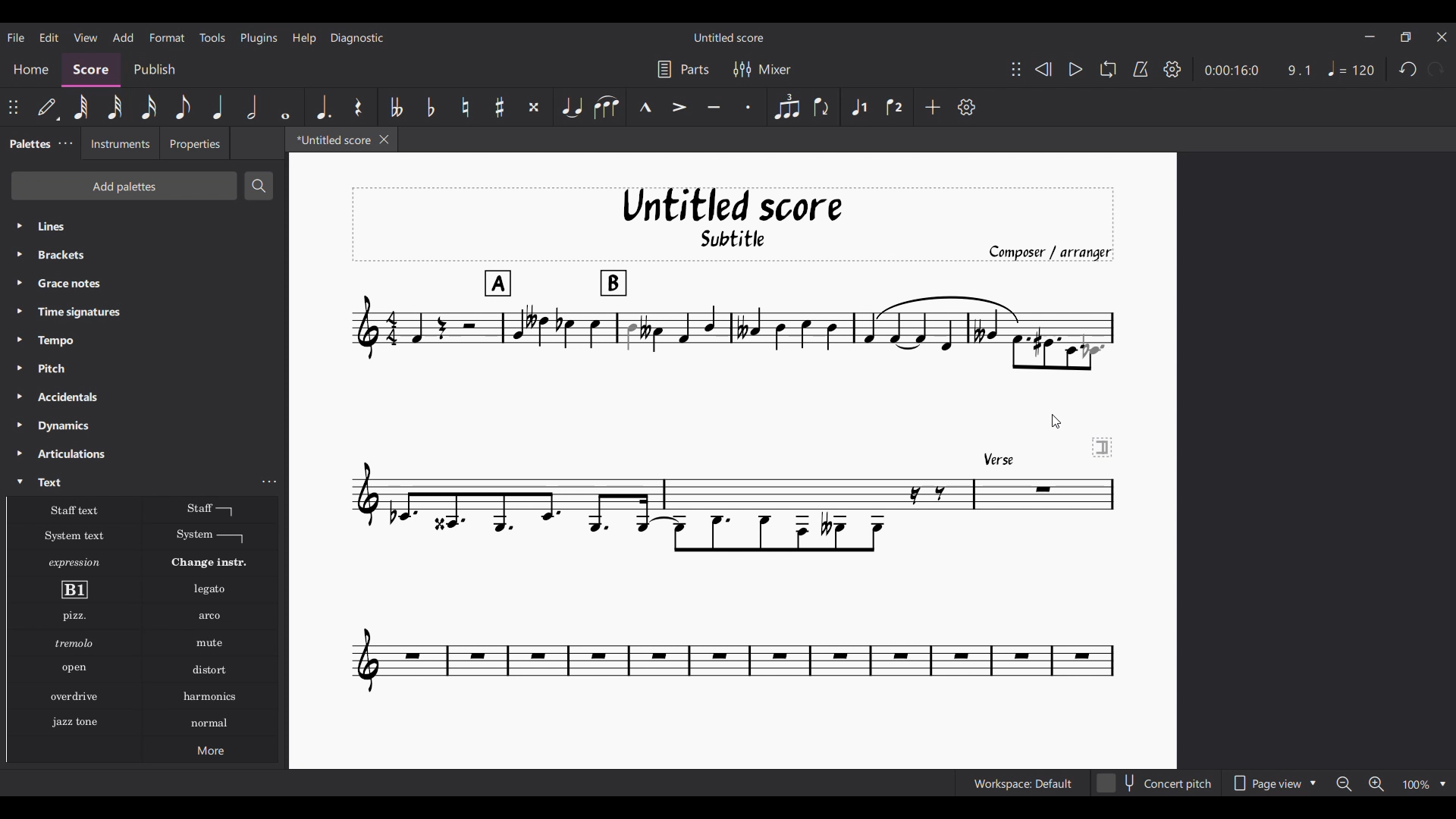 The height and width of the screenshot is (819, 1456). I want to click on Change position, so click(13, 107).